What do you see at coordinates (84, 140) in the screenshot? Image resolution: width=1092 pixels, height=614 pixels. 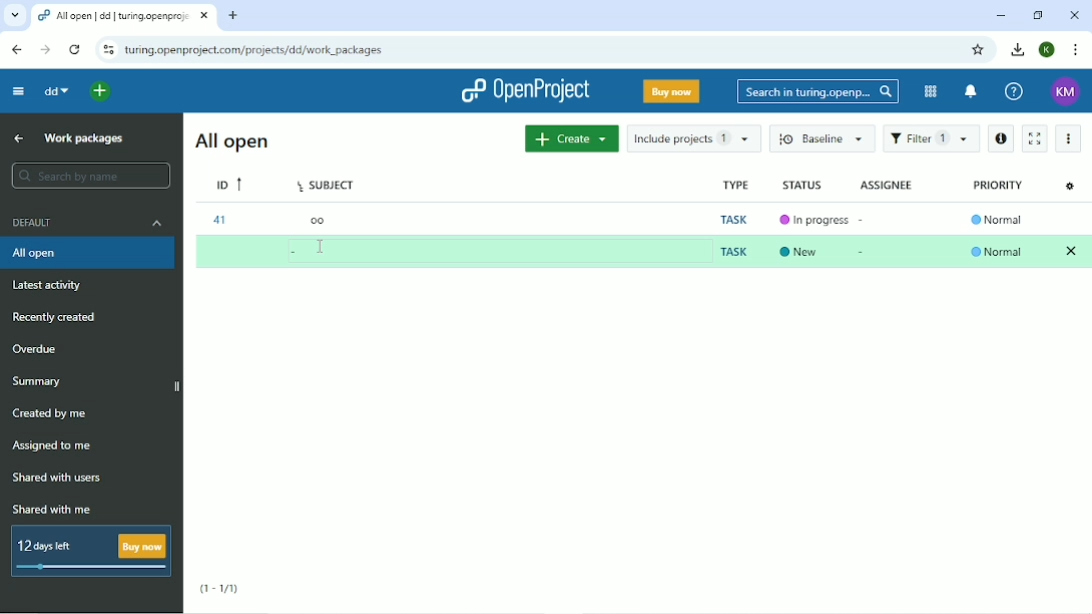 I see `Work packages` at bounding box center [84, 140].